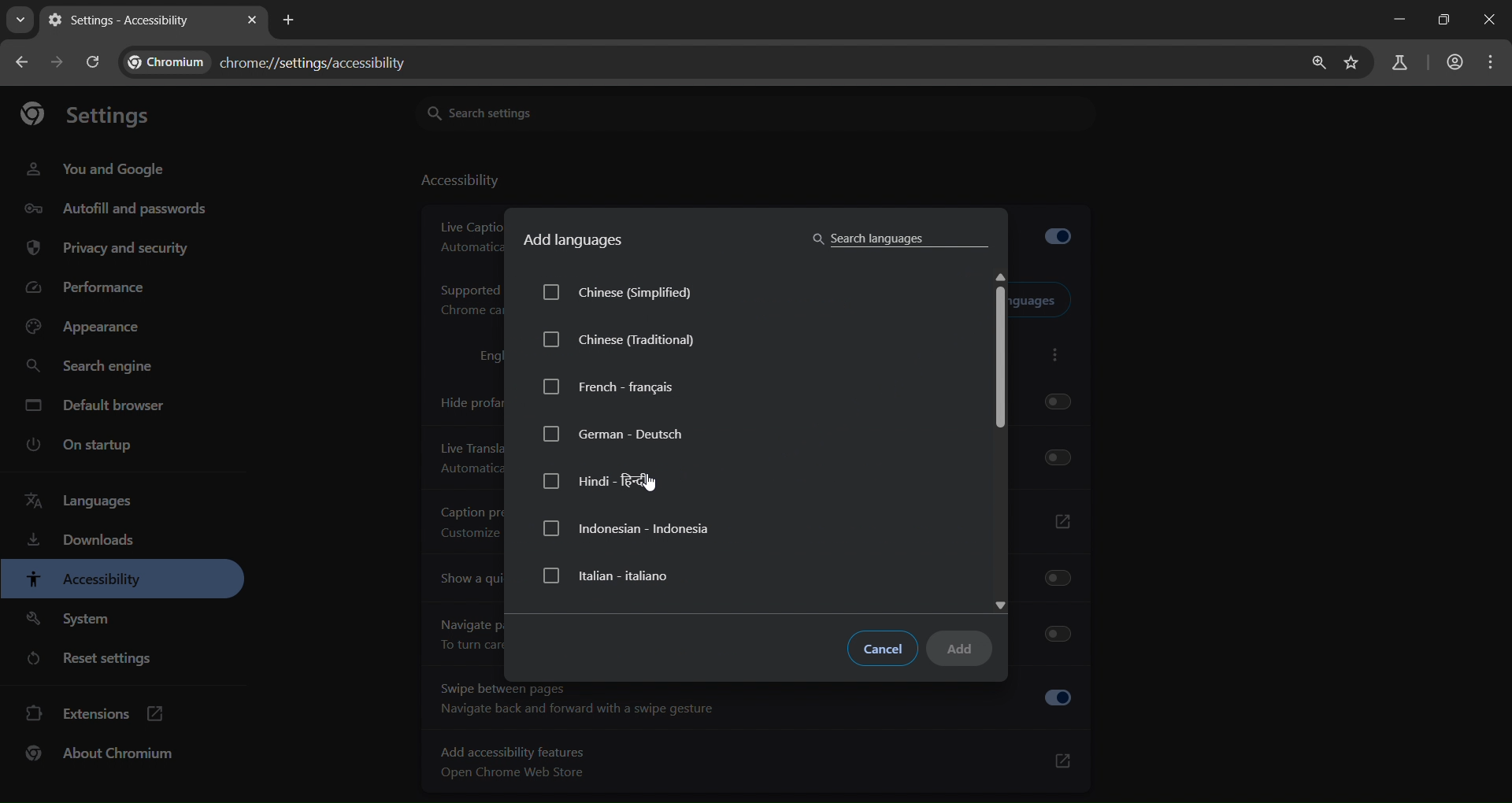 This screenshot has width=1512, height=803. Describe the element at coordinates (965, 650) in the screenshot. I see `add` at that location.